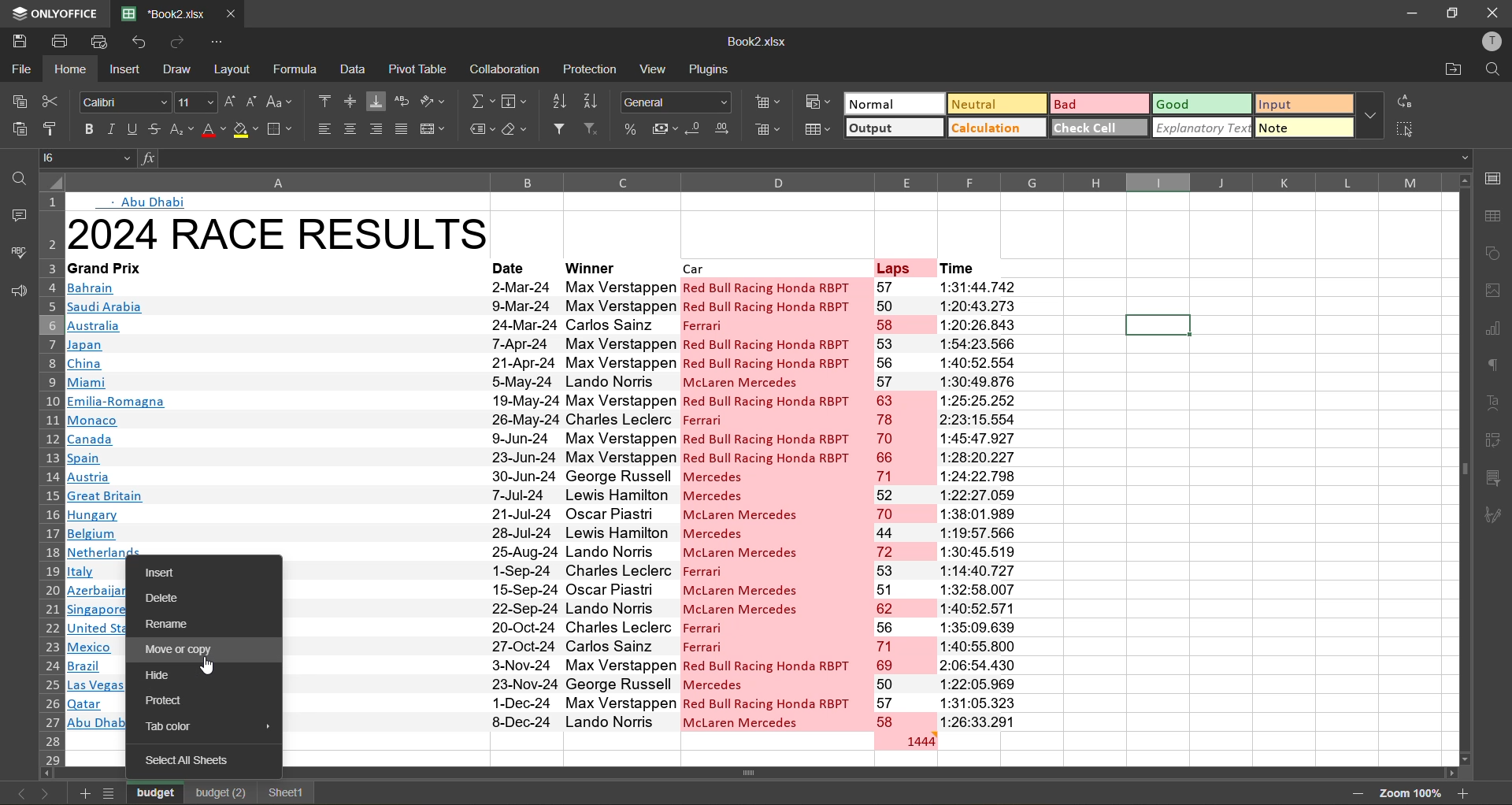  I want to click on pivot table, so click(1496, 438).